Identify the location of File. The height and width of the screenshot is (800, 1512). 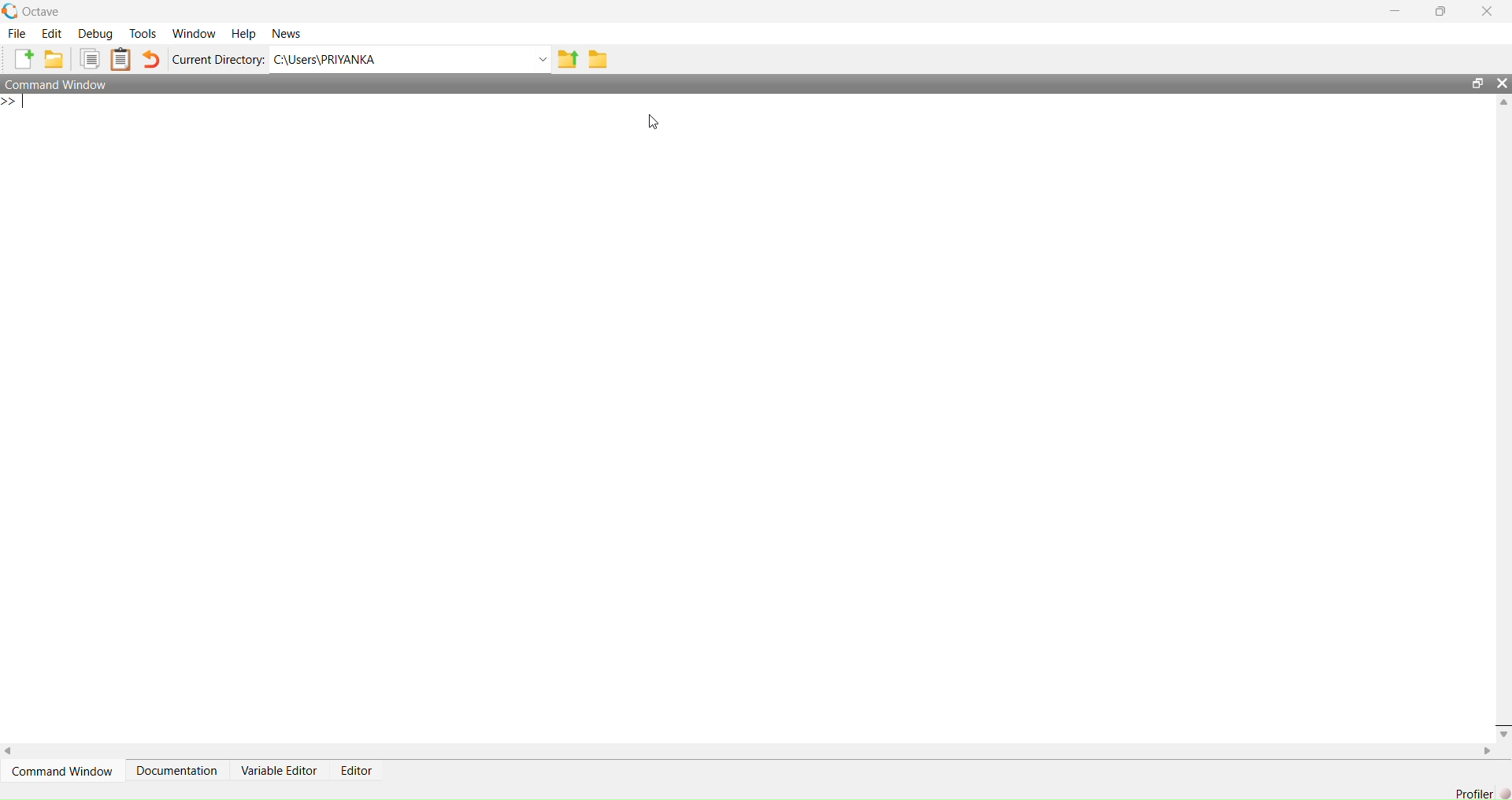
(14, 32).